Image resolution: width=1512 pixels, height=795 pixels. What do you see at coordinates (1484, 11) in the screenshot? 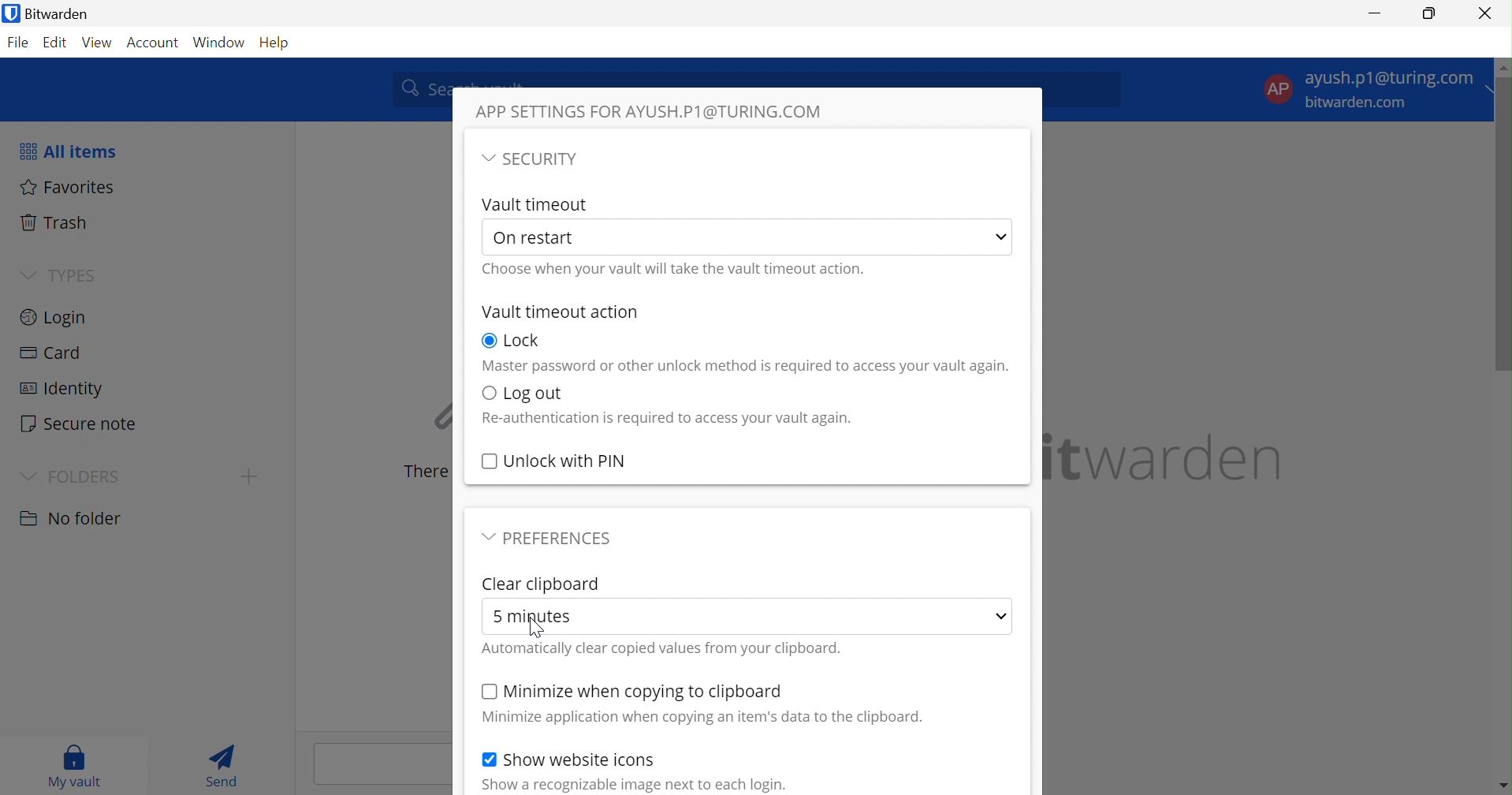
I see `Close` at bounding box center [1484, 11].